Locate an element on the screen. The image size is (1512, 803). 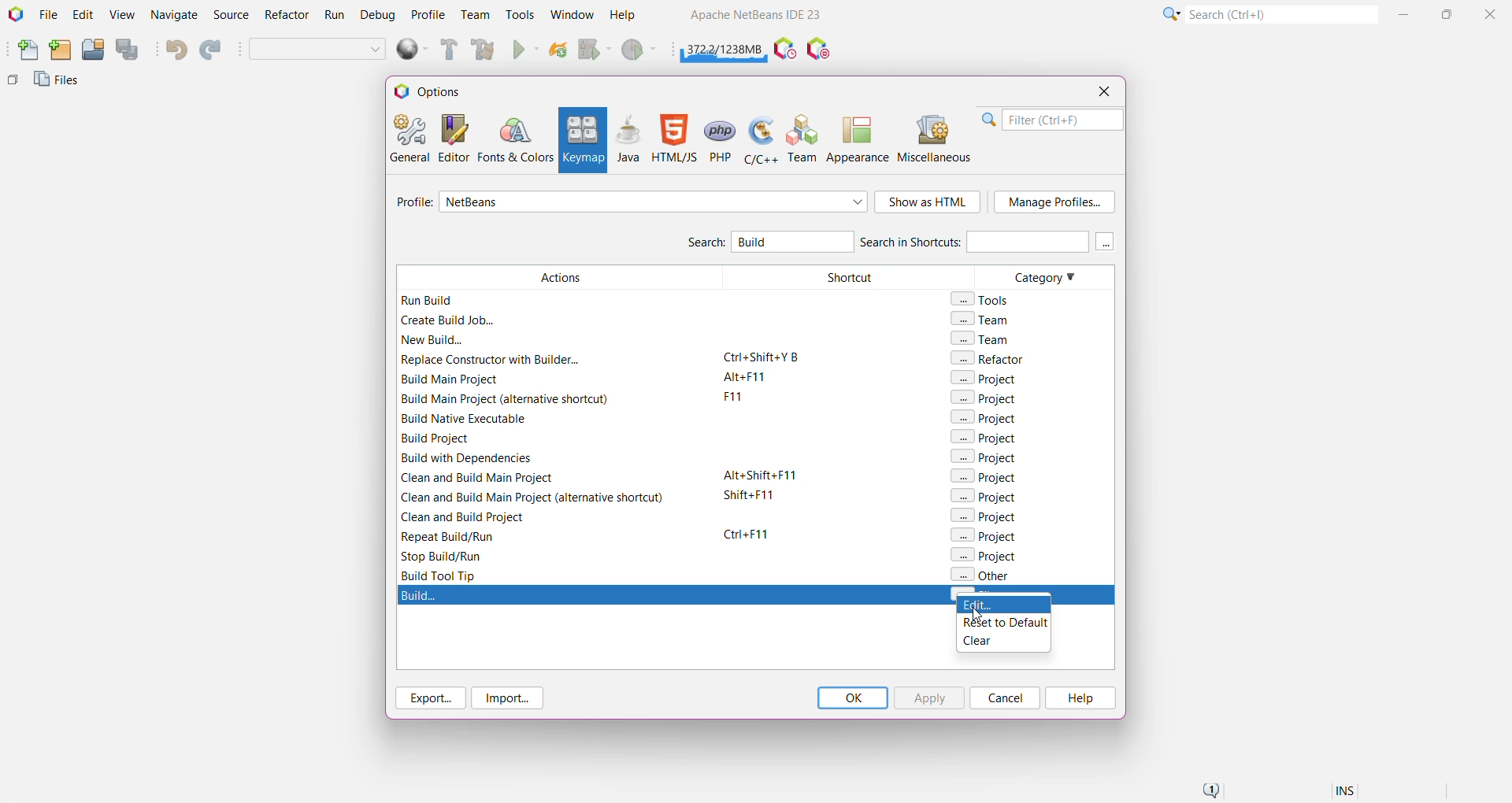
Manage Profile is located at coordinates (1054, 202).